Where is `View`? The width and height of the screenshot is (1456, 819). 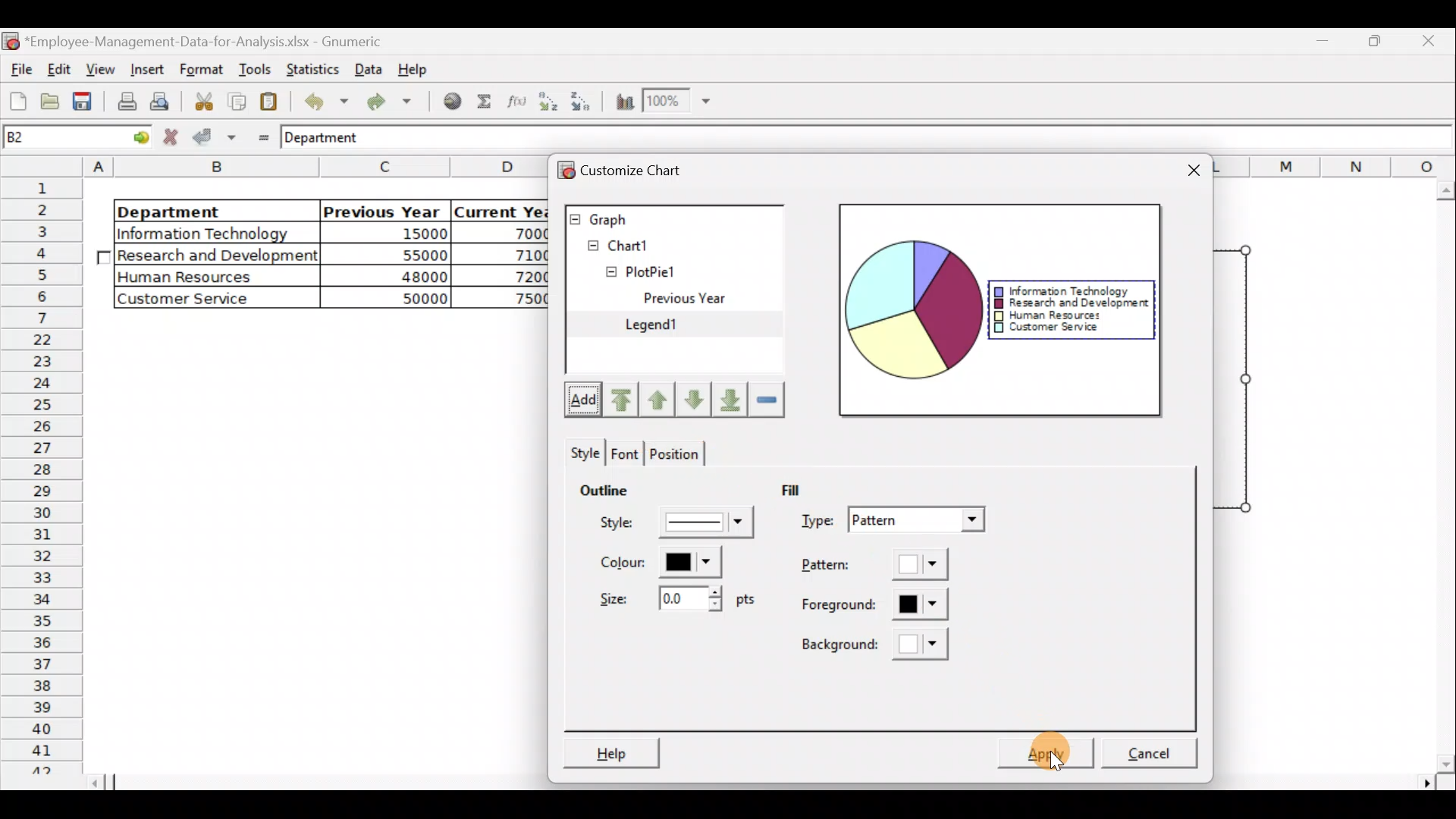 View is located at coordinates (103, 67).